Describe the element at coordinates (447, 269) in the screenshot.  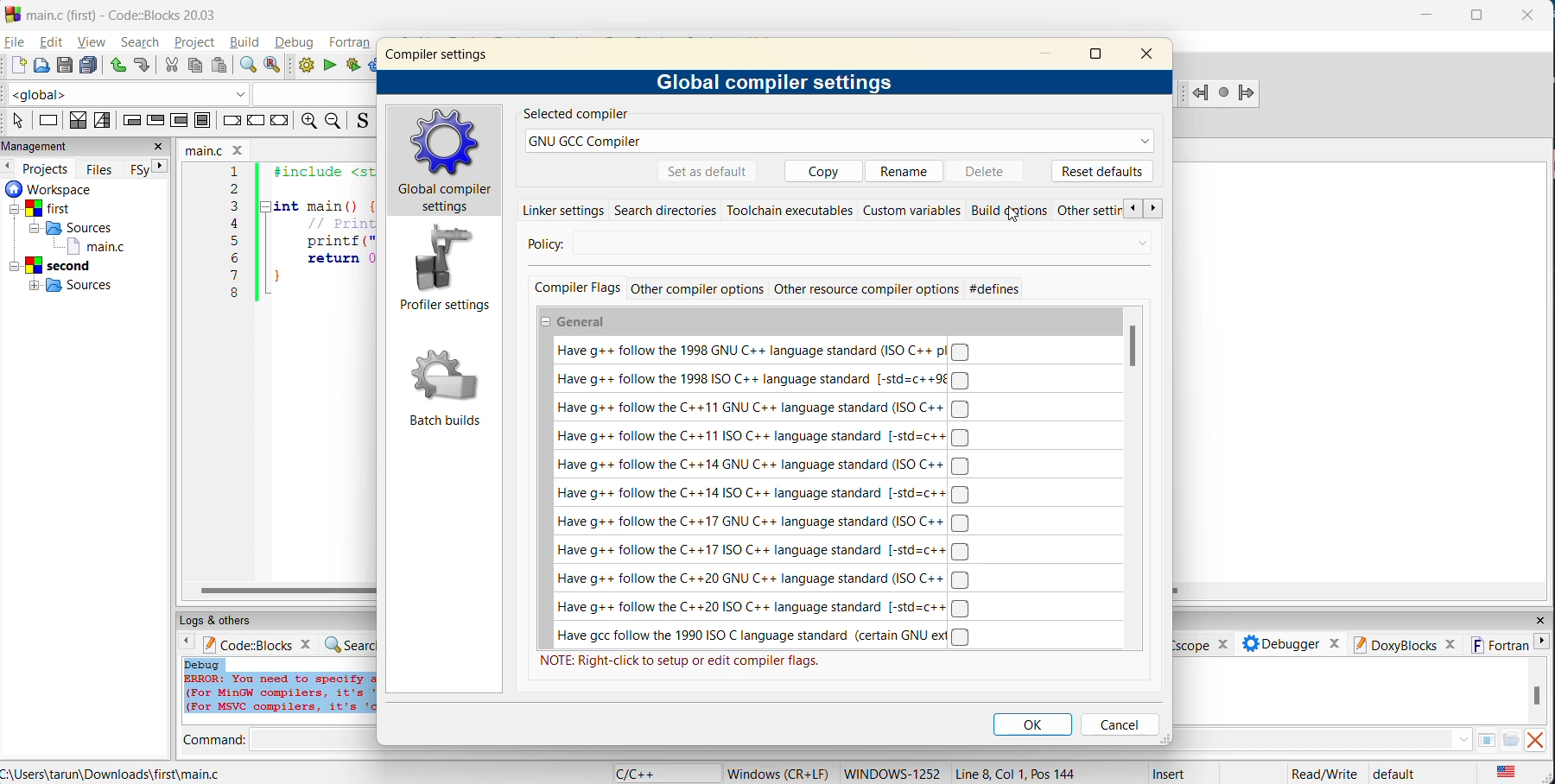
I see `profile settings` at that location.